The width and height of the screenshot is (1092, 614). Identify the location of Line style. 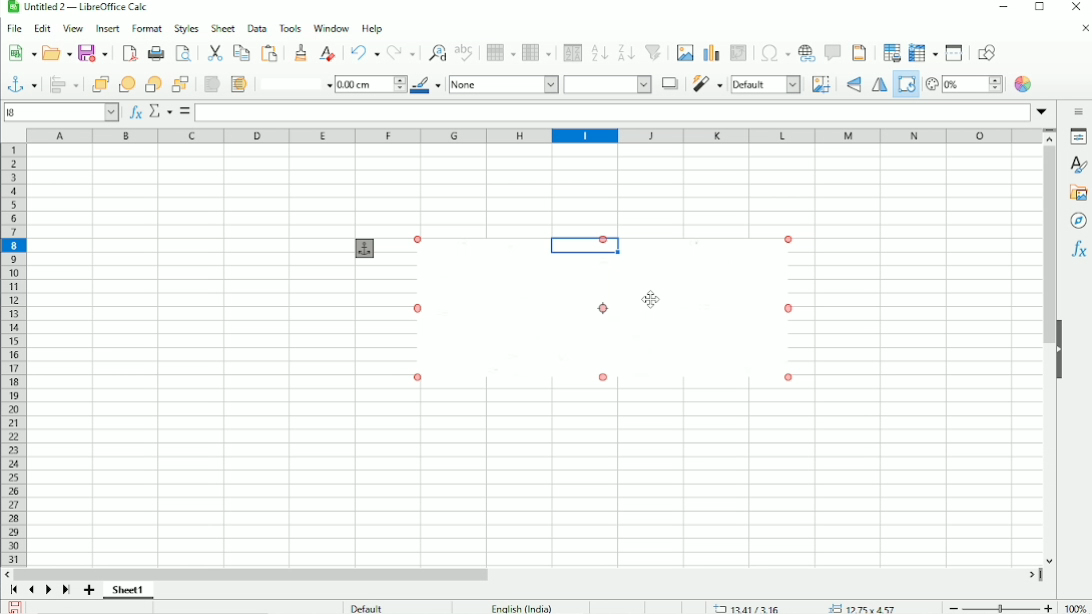
(292, 84).